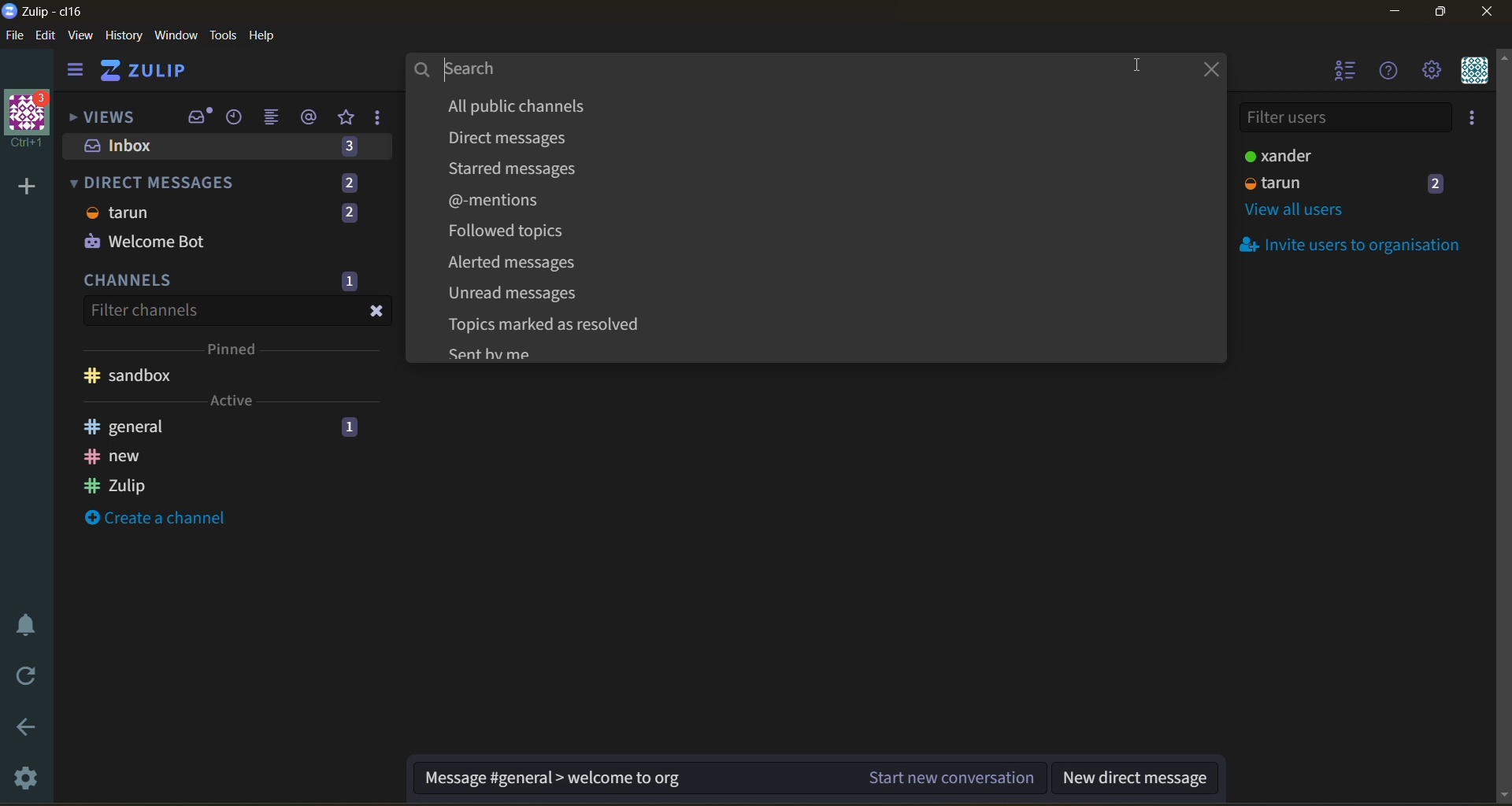  What do you see at coordinates (1475, 71) in the screenshot?
I see `personal menu` at bounding box center [1475, 71].